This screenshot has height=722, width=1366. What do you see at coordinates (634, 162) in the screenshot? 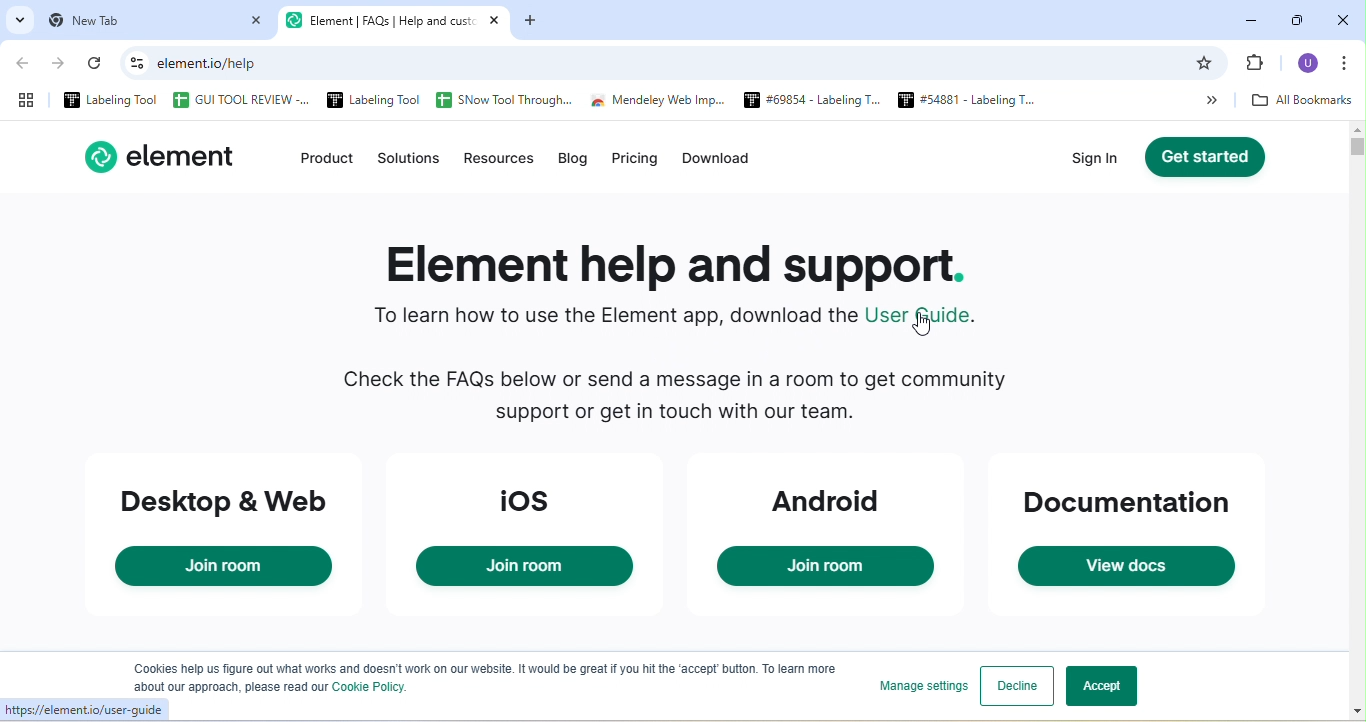
I see `pricing` at bounding box center [634, 162].